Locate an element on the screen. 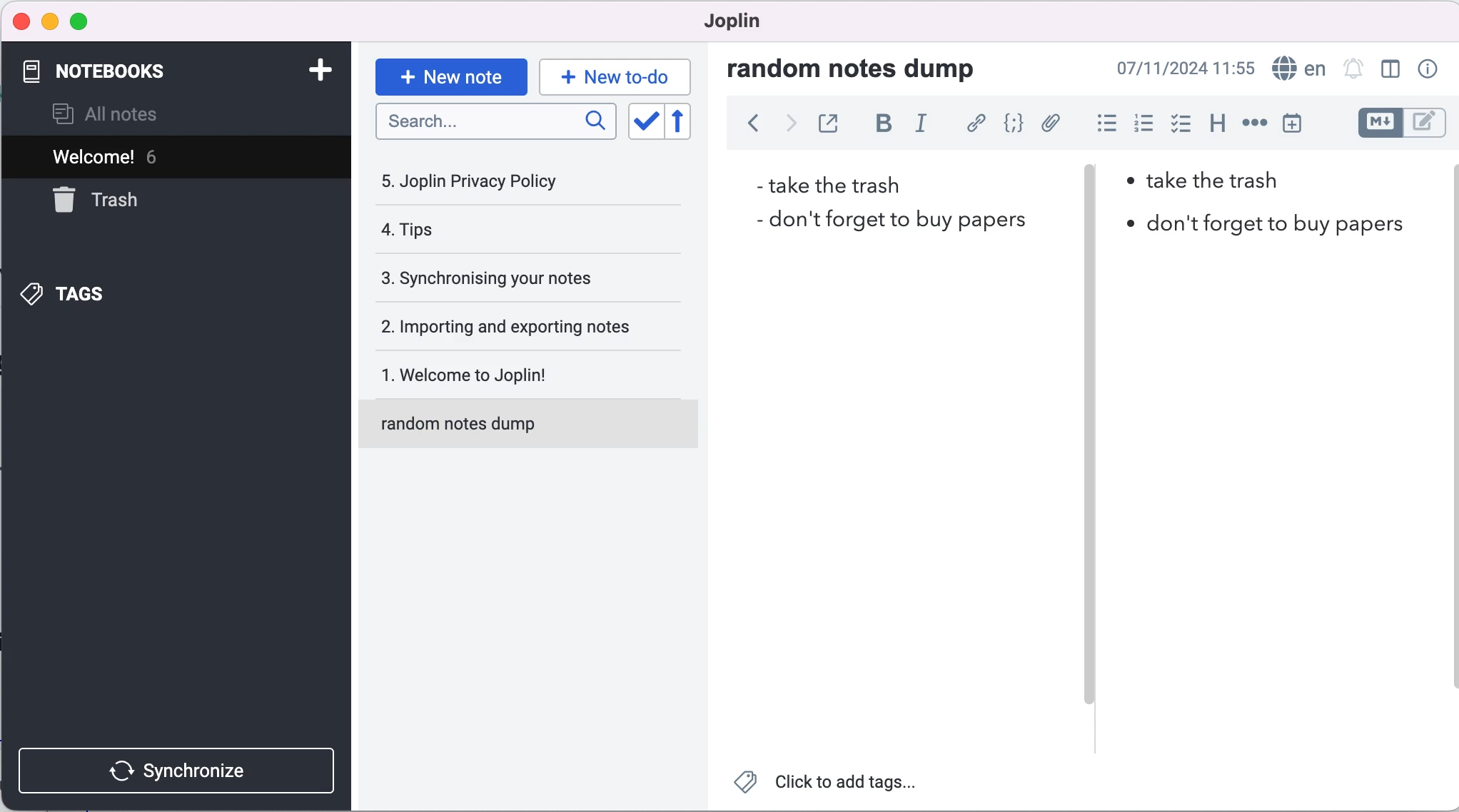 This screenshot has width=1459, height=812. tips is located at coordinates (493, 233).